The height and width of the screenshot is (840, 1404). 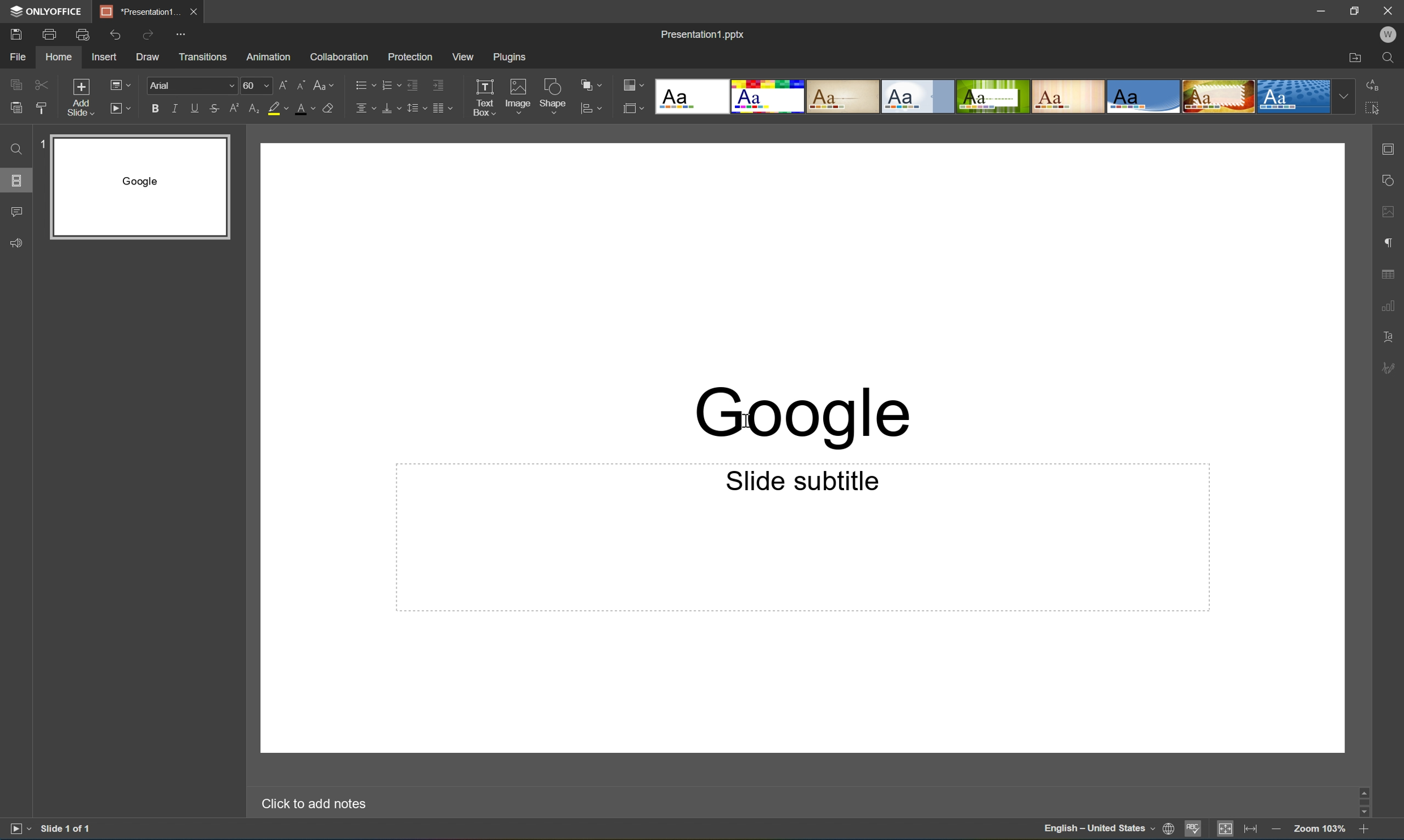 I want to click on Increase indent, so click(x=440, y=83).